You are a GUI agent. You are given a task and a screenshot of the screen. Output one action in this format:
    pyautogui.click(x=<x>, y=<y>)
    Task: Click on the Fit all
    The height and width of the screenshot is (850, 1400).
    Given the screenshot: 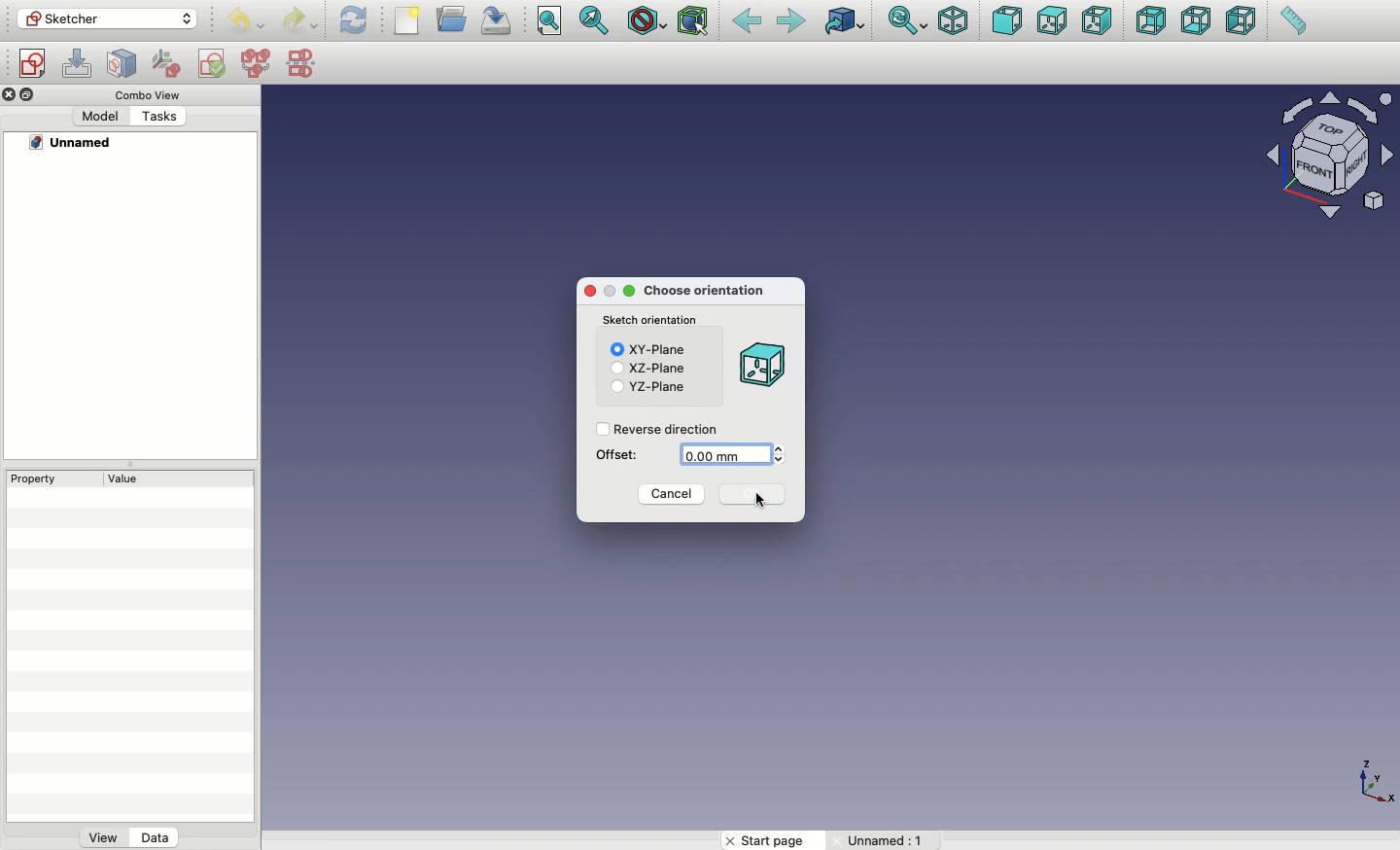 What is the action you would take?
    pyautogui.click(x=551, y=21)
    